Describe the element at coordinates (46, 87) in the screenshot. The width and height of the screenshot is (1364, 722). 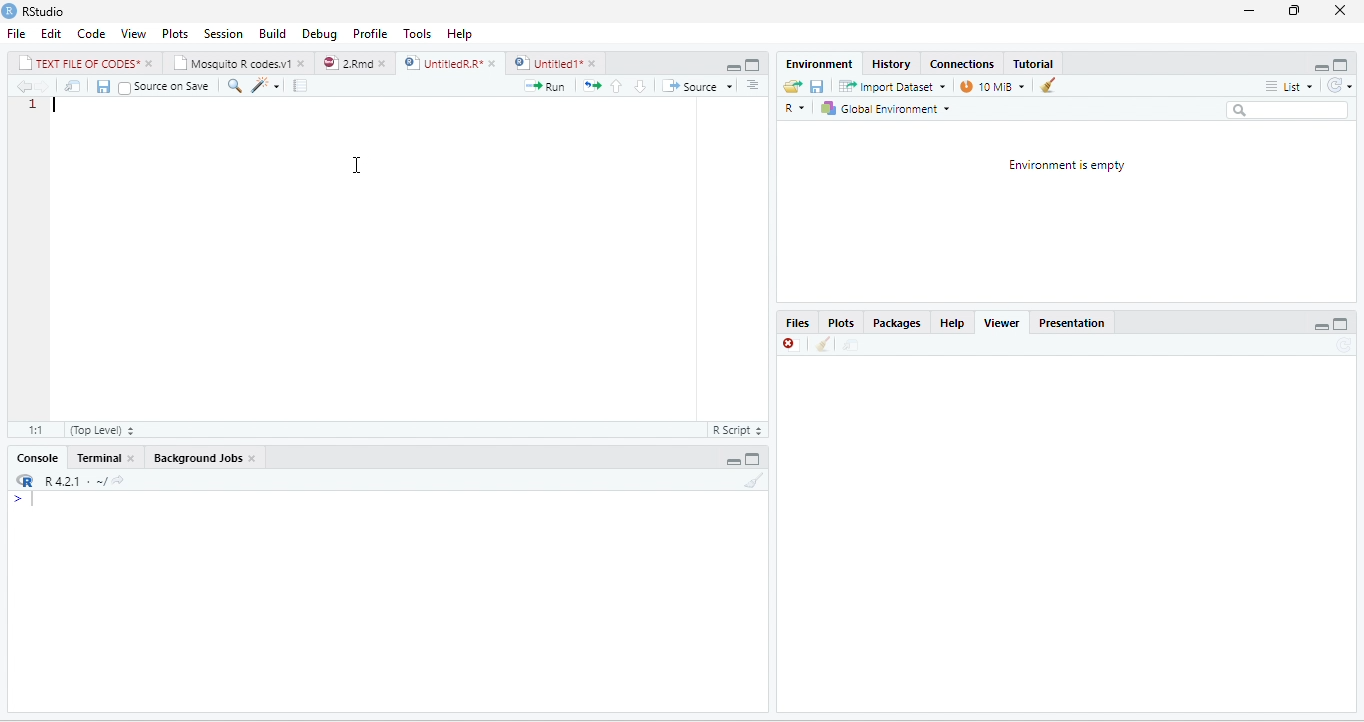
I see `next` at that location.